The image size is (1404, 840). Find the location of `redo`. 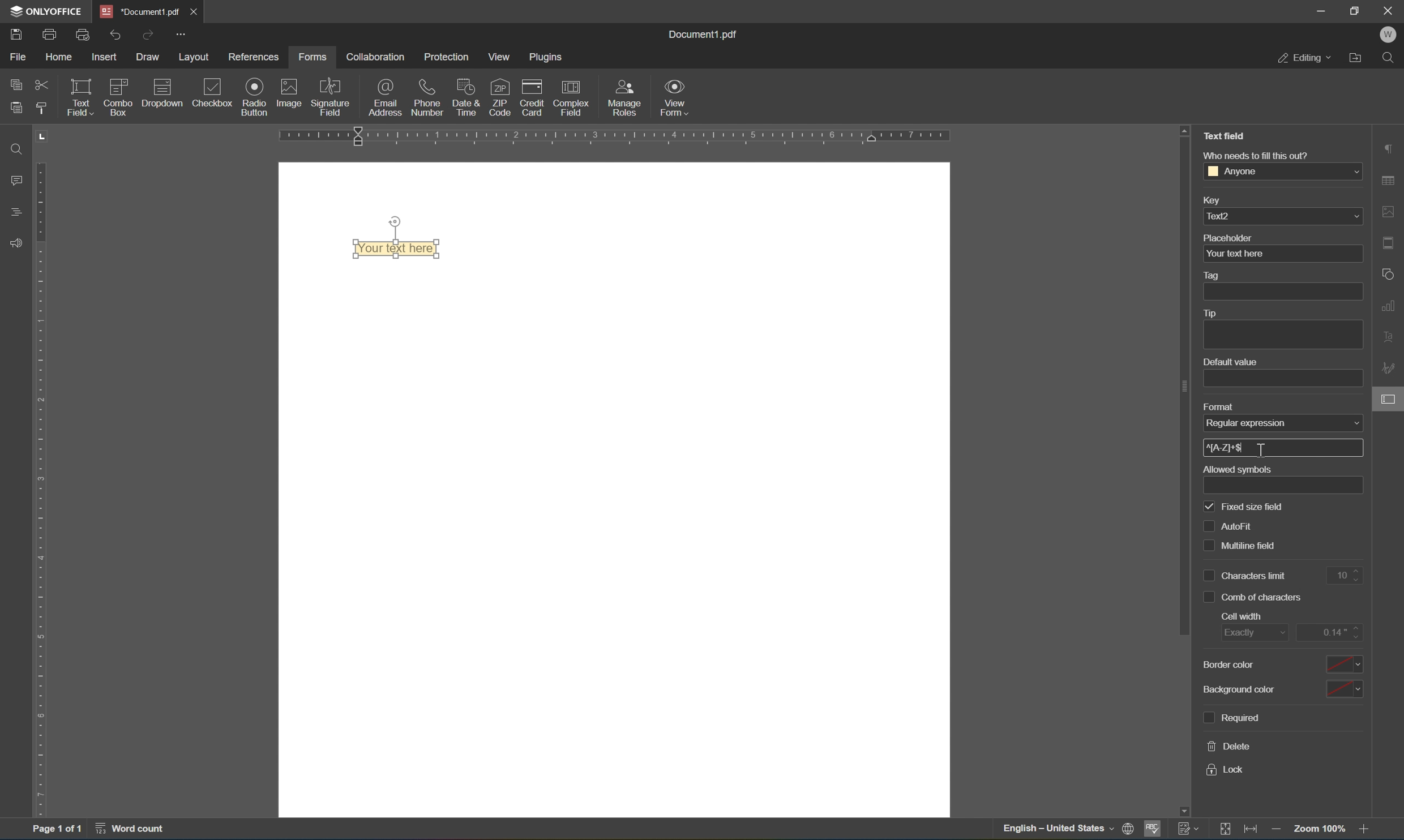

redo is located at coordinates (148, 35).